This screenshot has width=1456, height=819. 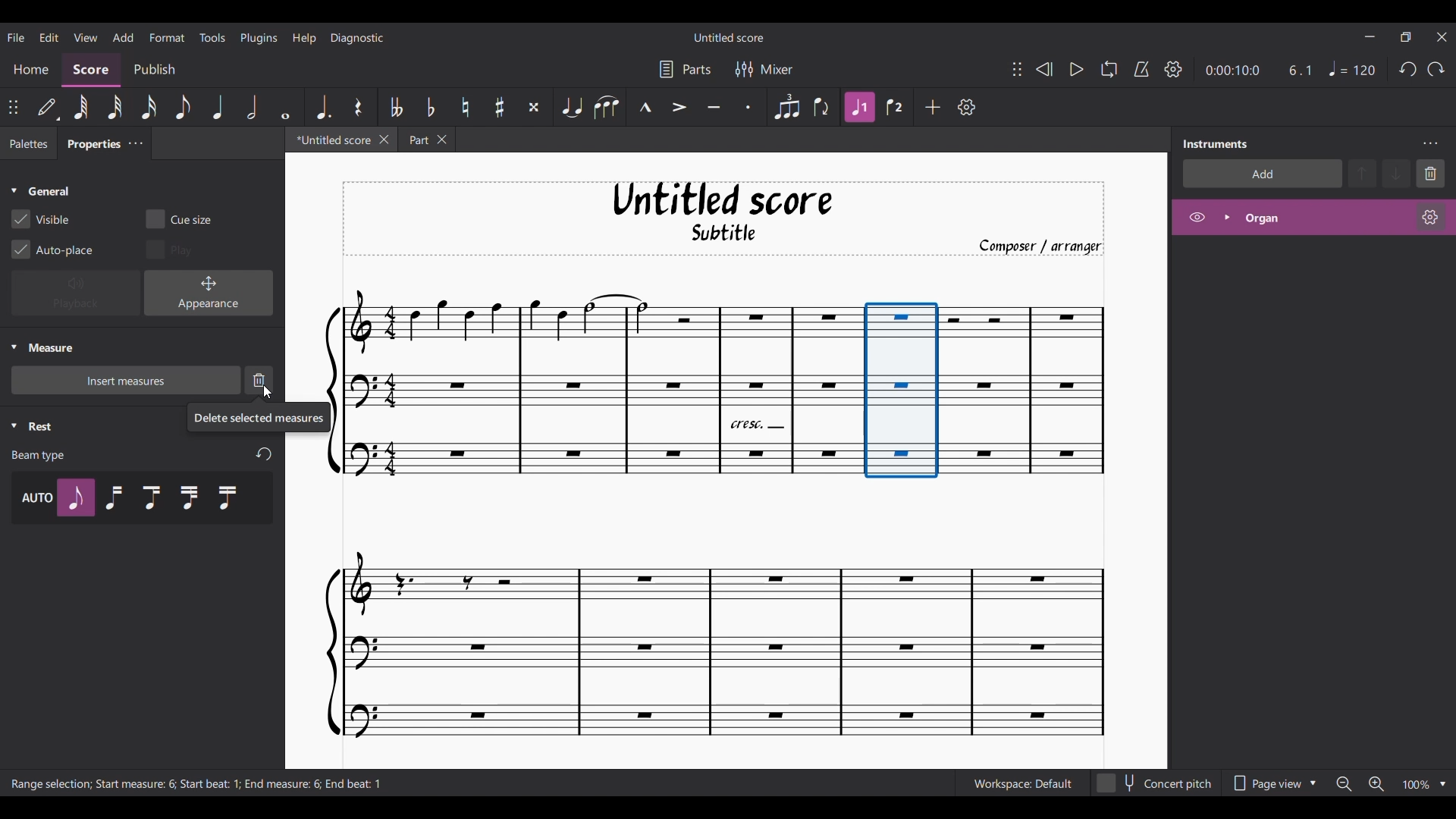 I want to click on Palettes, so click(x=29, y=145).